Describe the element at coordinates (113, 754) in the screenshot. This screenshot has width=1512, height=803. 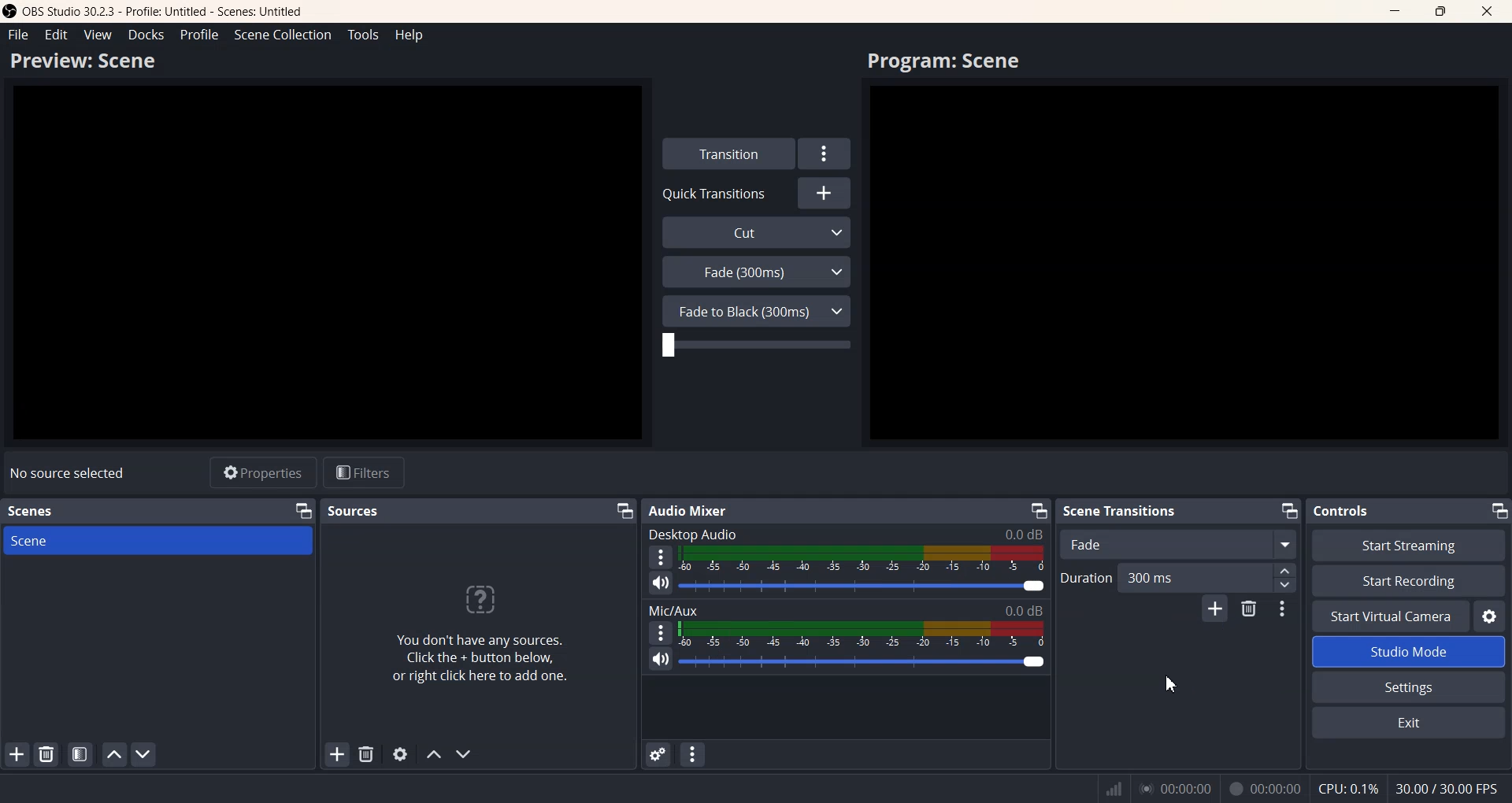
I see `Follow scene up` at that location.